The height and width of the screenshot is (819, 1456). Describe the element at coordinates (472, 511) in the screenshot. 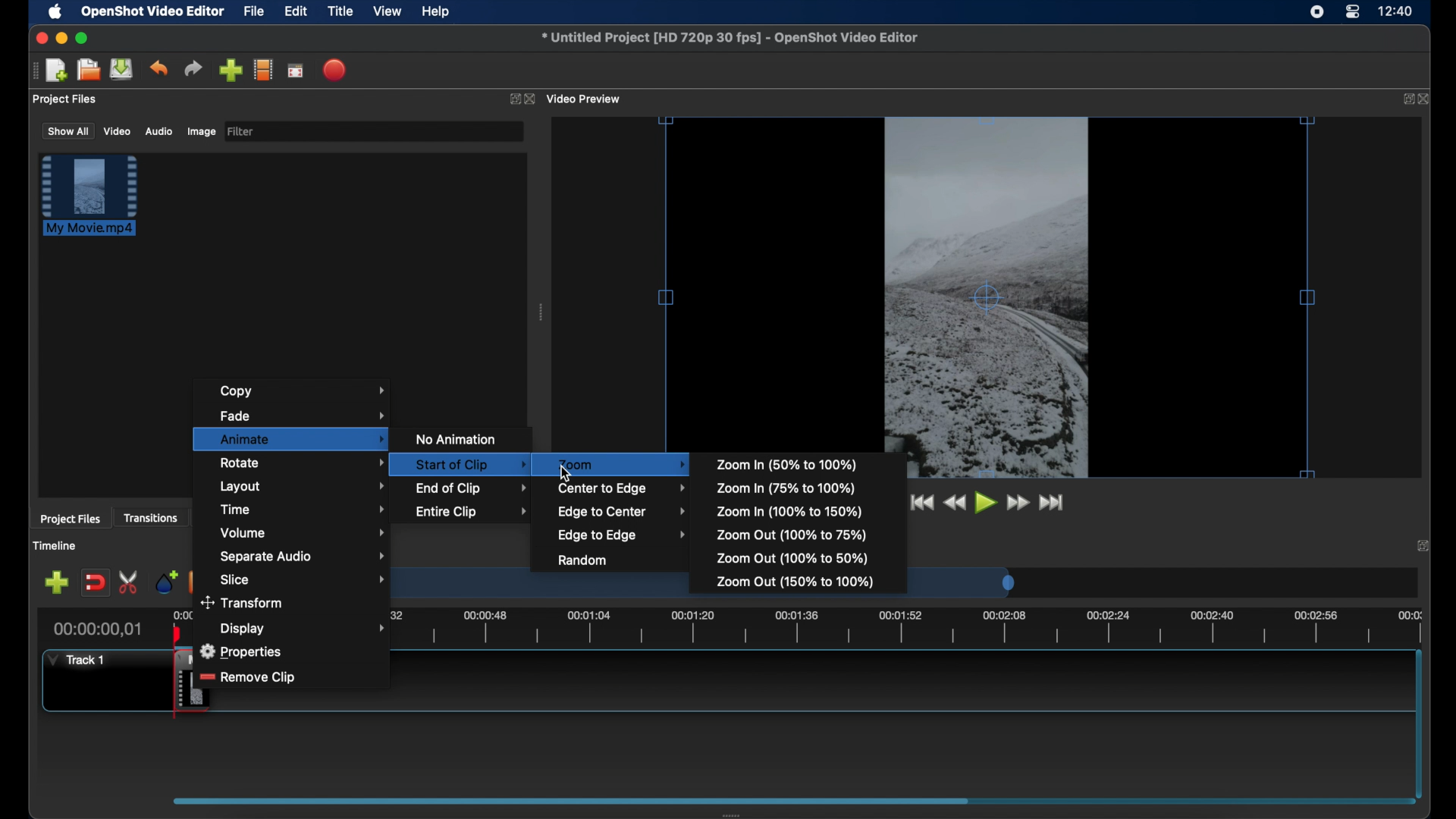

I see `entire clip menu` at that location.